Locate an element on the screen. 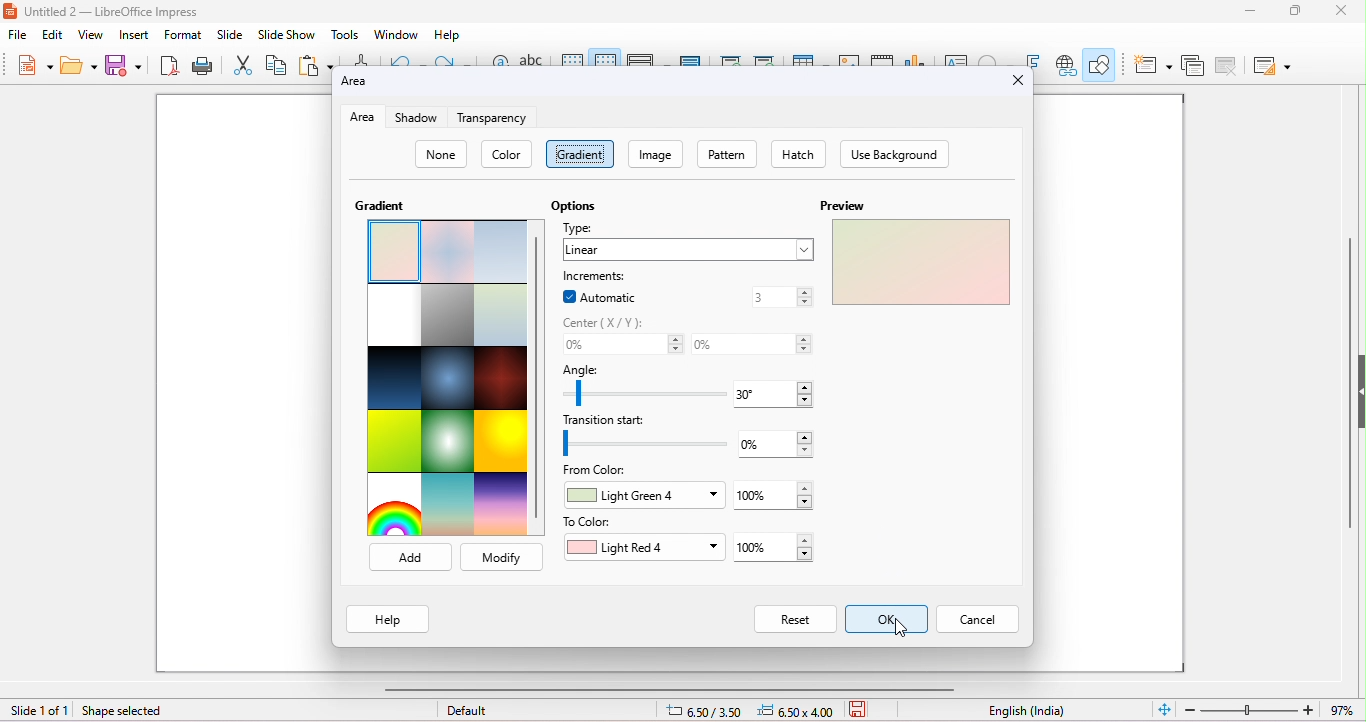  gradient is located at coordinates (580, 154).